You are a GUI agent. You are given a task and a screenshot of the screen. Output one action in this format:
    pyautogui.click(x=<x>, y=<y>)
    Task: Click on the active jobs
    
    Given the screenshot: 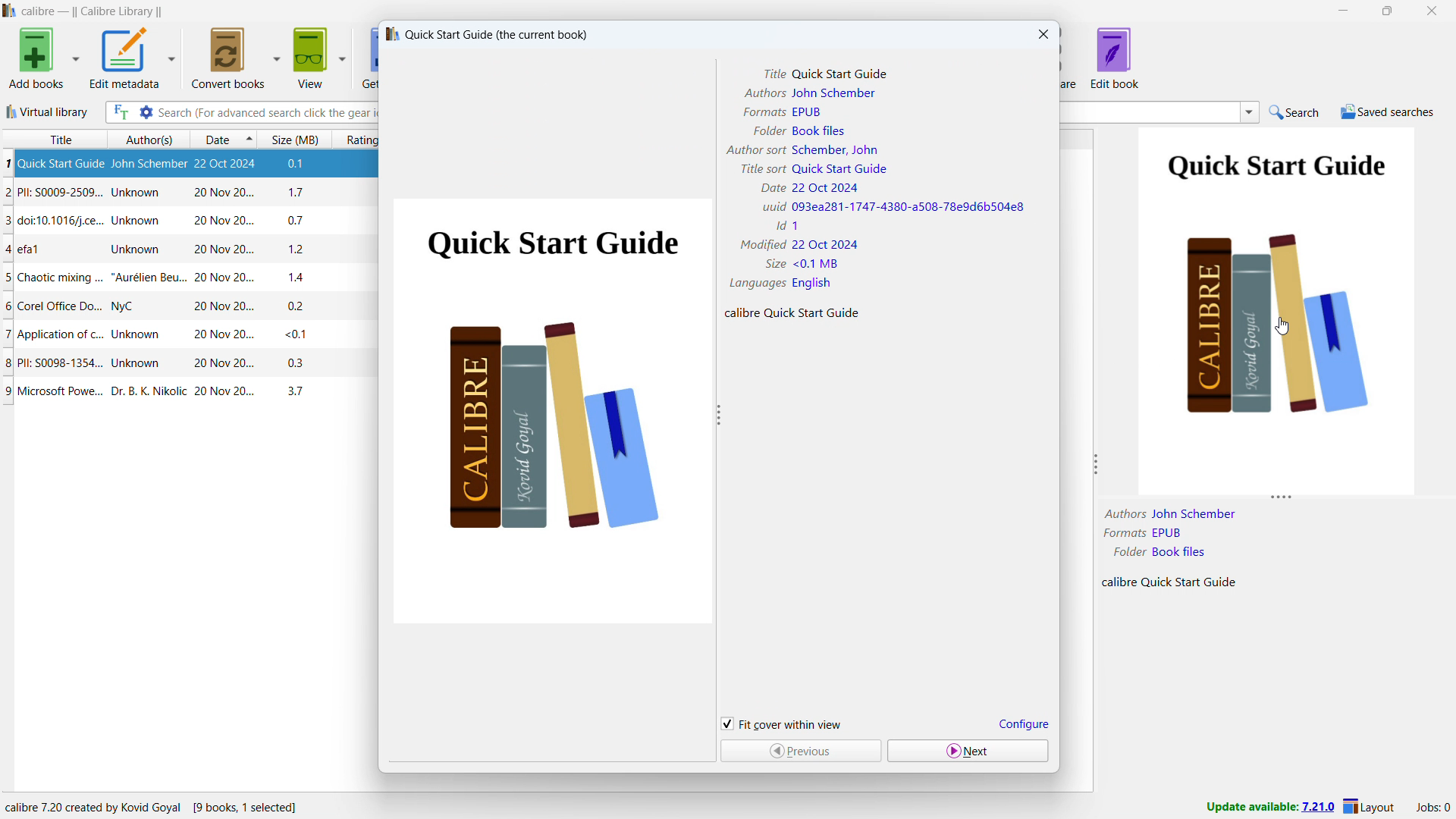 What is the action you would take?
    pyautogui.click(x=1432, y=808)
    